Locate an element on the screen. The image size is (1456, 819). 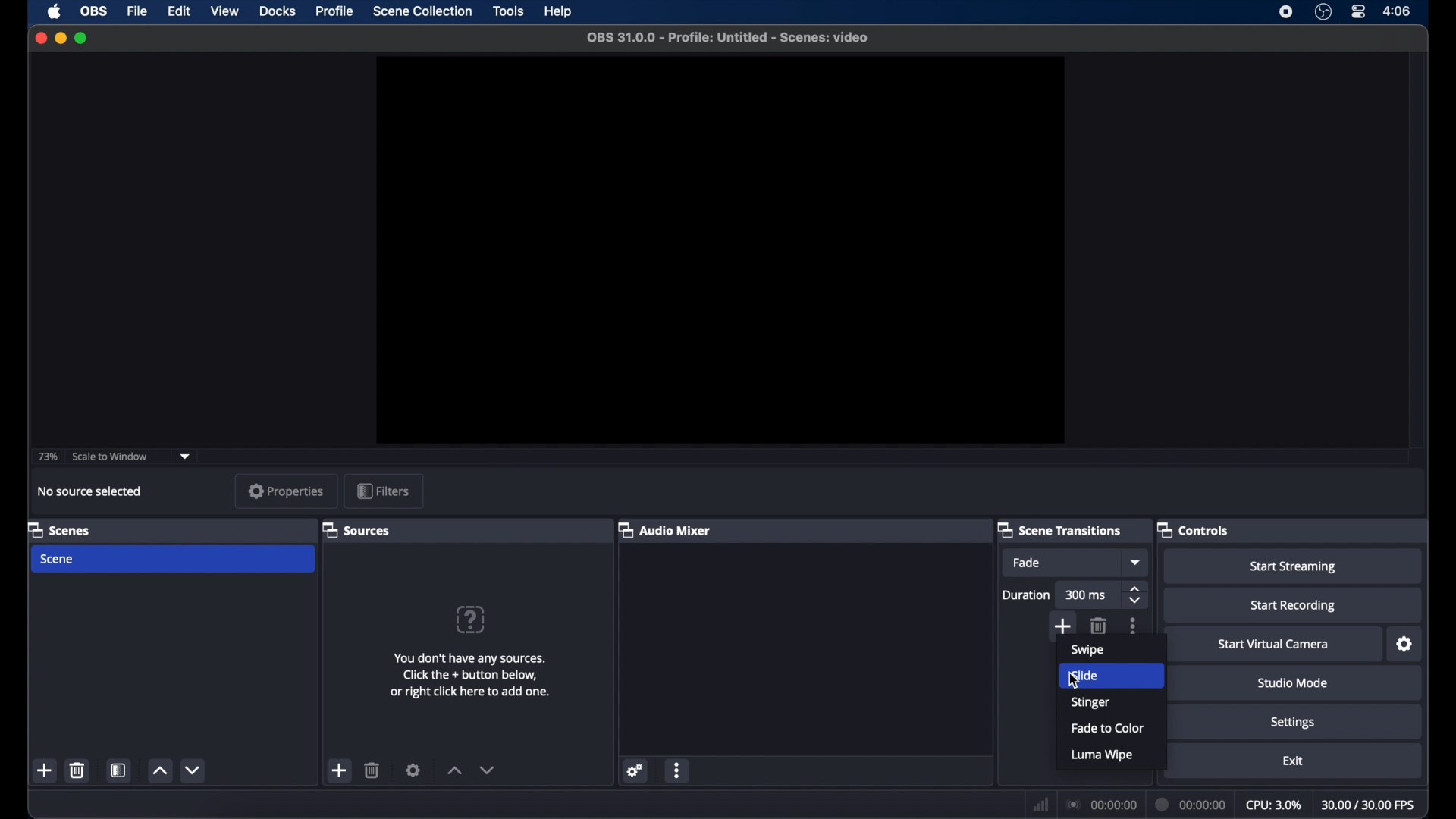
duration is located at coordinates (1027, 596).